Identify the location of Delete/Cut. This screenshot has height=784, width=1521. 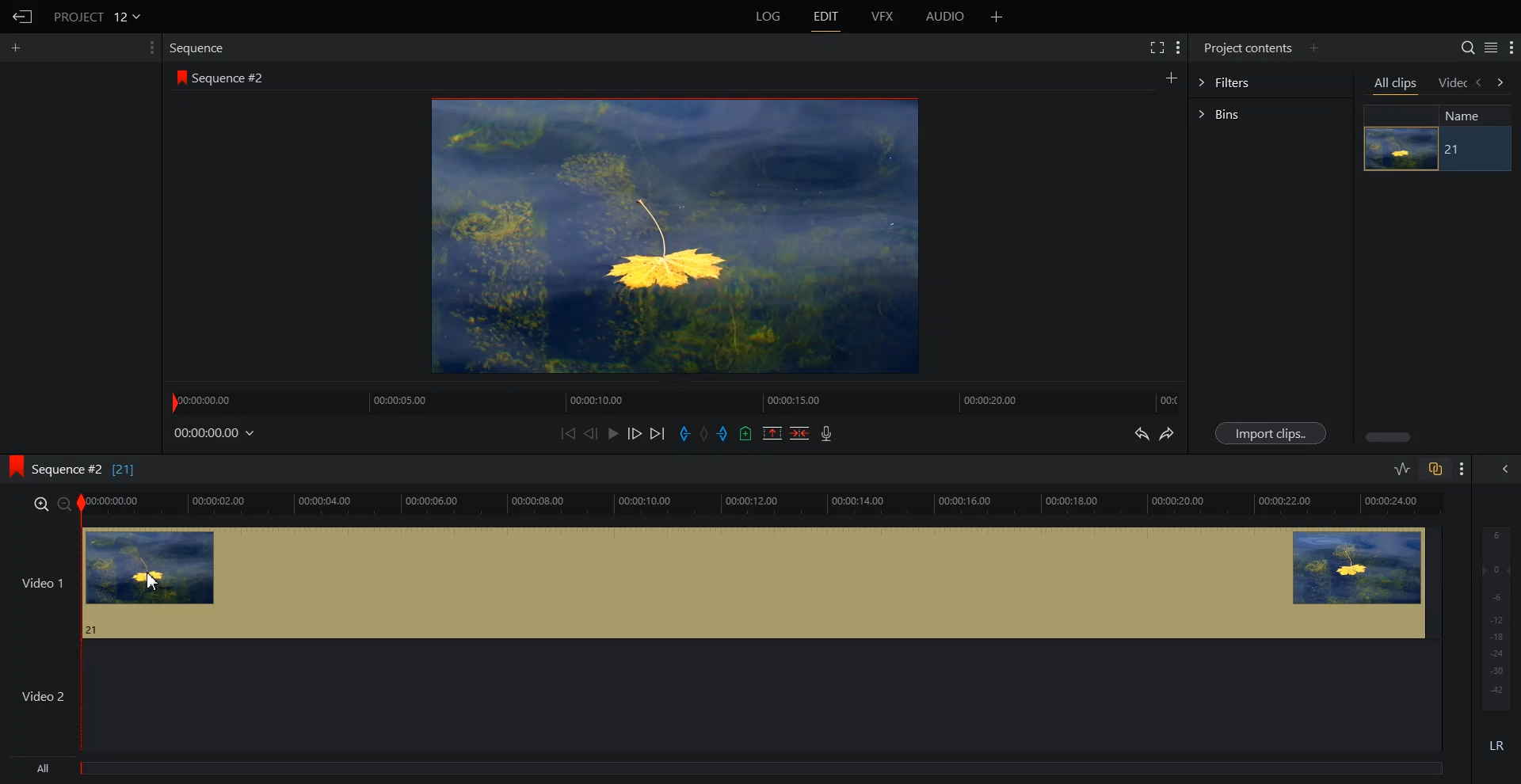
(800, 433).